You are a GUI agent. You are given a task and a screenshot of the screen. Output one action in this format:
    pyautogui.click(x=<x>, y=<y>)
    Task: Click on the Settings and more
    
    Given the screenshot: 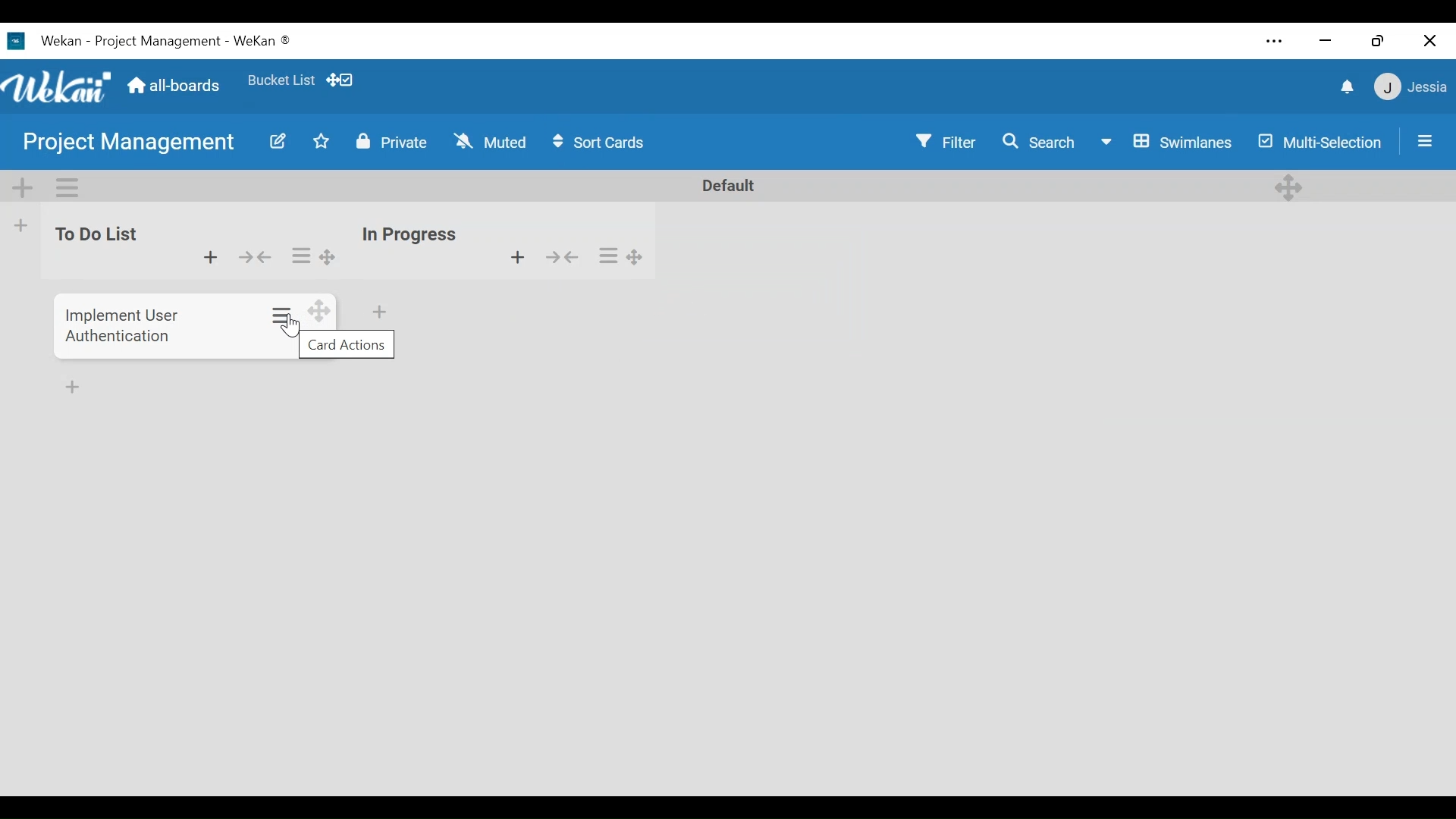 What is the action you would take?
    pyautogui.click(x=1276, y=40)
    